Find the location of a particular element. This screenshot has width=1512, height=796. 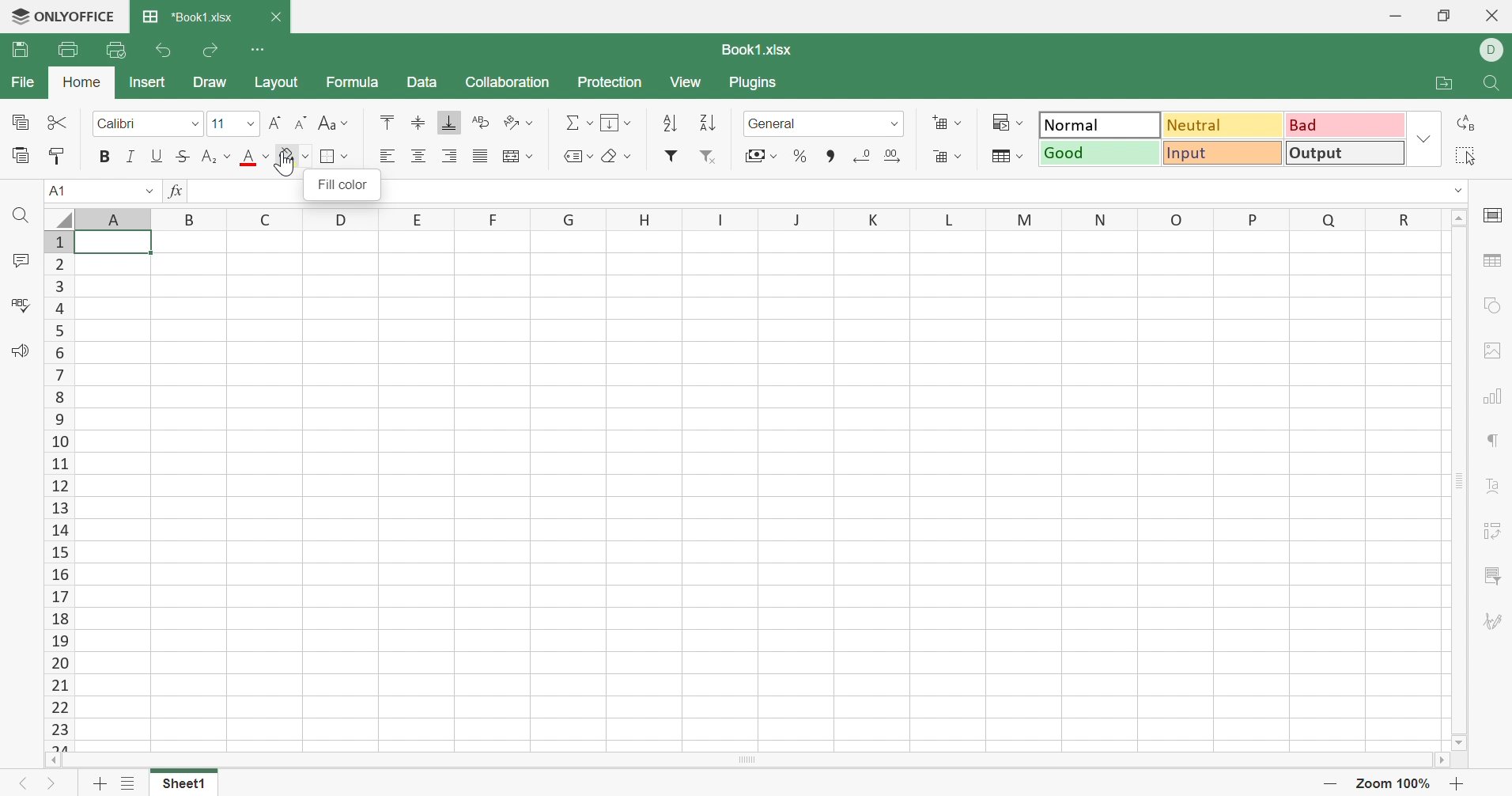

Output is located at coordinates (1348, 153).